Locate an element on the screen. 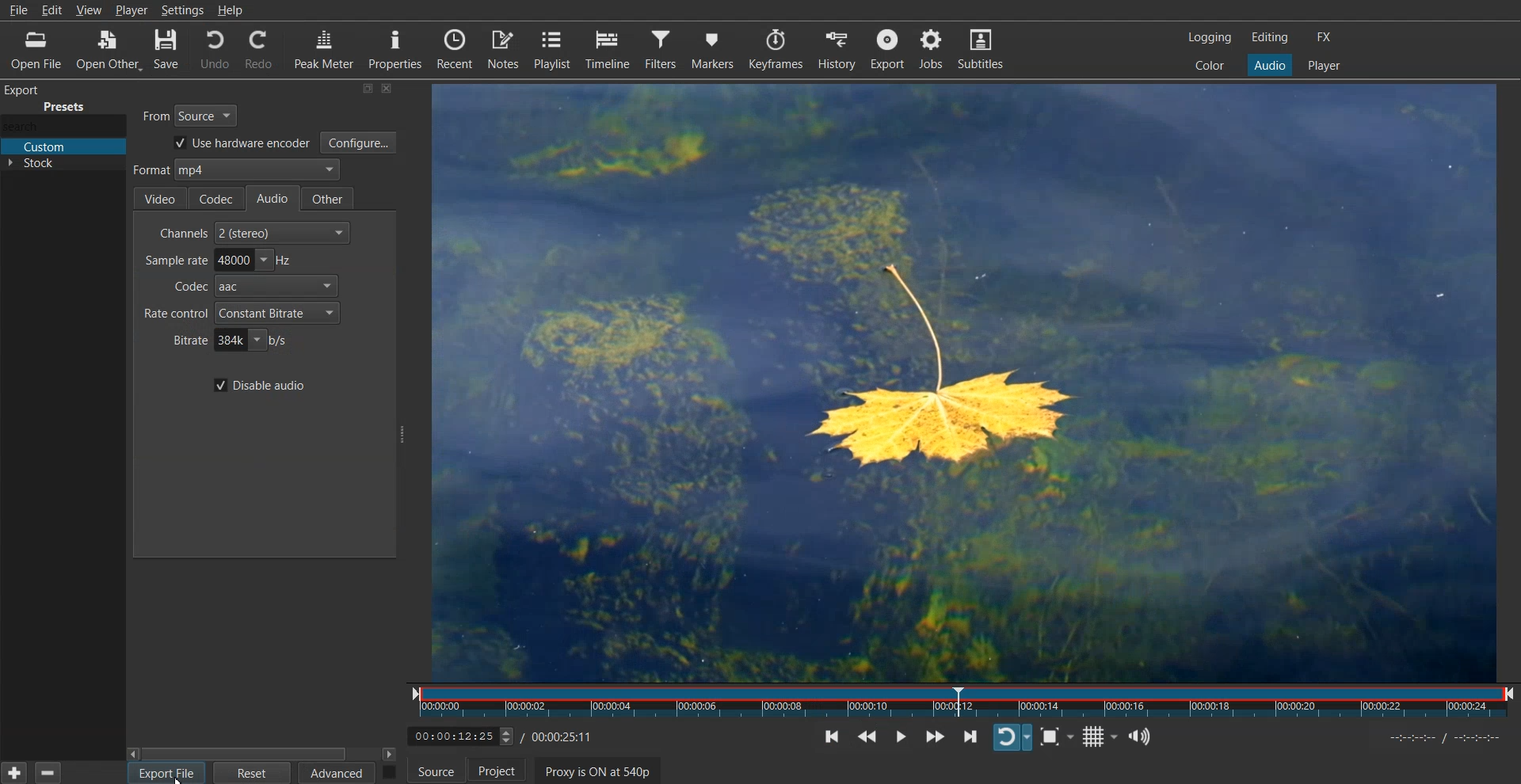 This screenshot has width=1521, height=784. File is located at coordinates (20, 11).